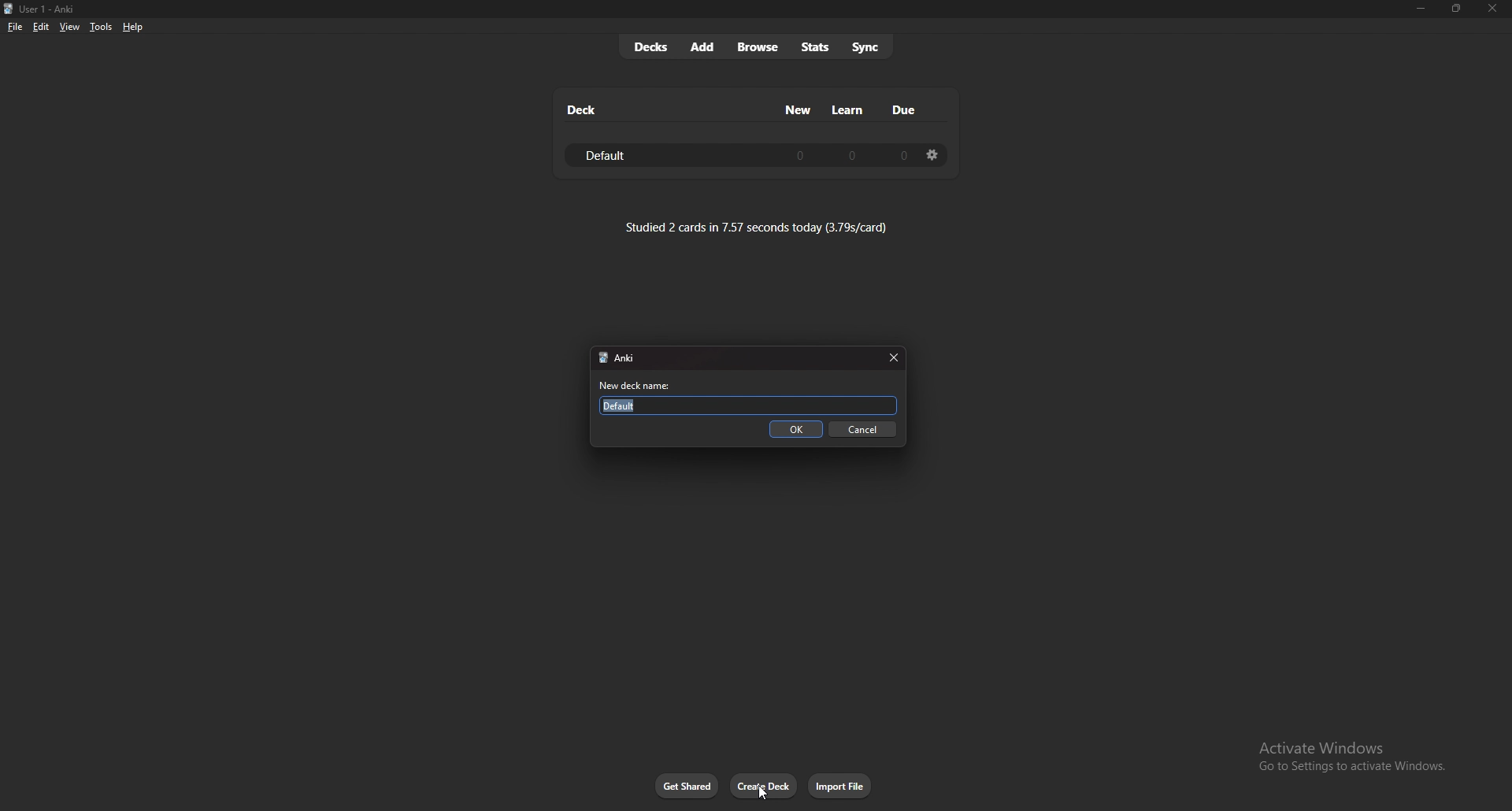 Image resolution: width=1512 pixels, height=811 pixels. Describe the element at coordinates (750, 405) in the screenshot. I see `Default` at that location.